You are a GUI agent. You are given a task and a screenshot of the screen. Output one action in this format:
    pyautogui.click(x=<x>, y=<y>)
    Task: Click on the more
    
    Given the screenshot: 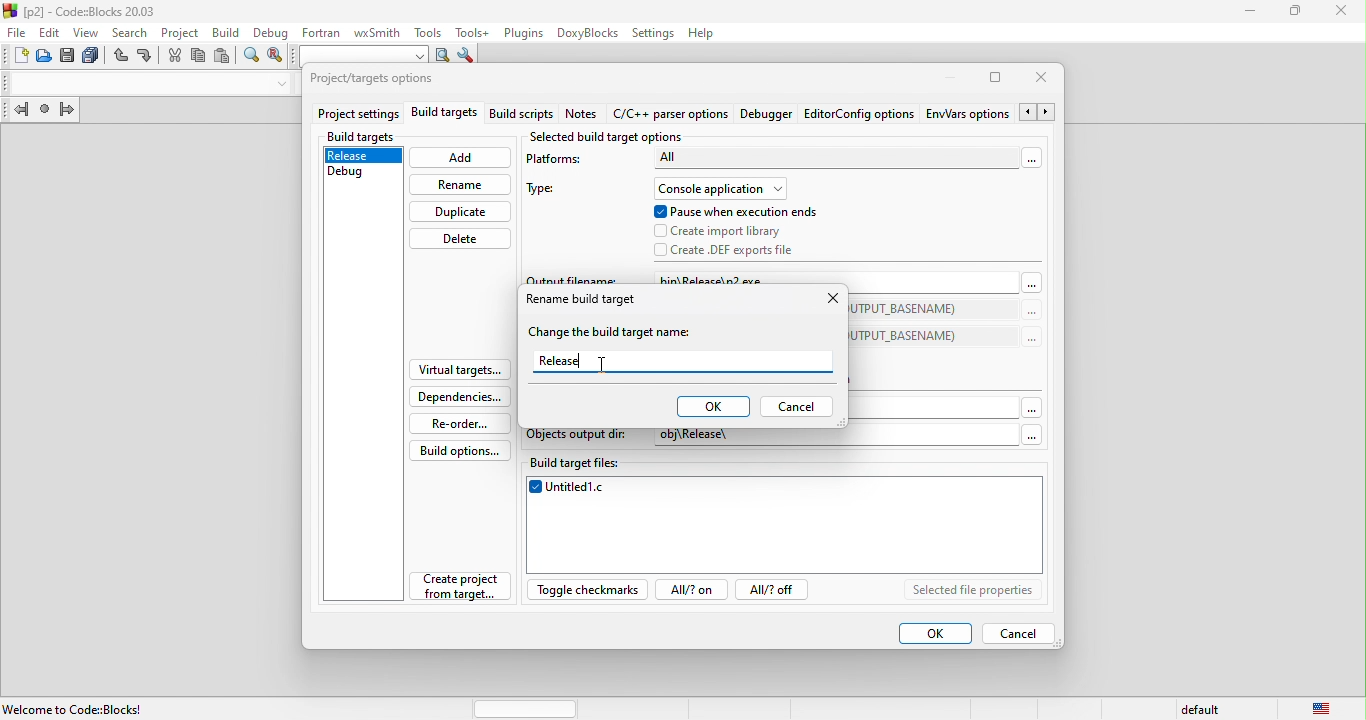 What is the action you would take?
    pyautogui.click(x=1032, y=282)
    